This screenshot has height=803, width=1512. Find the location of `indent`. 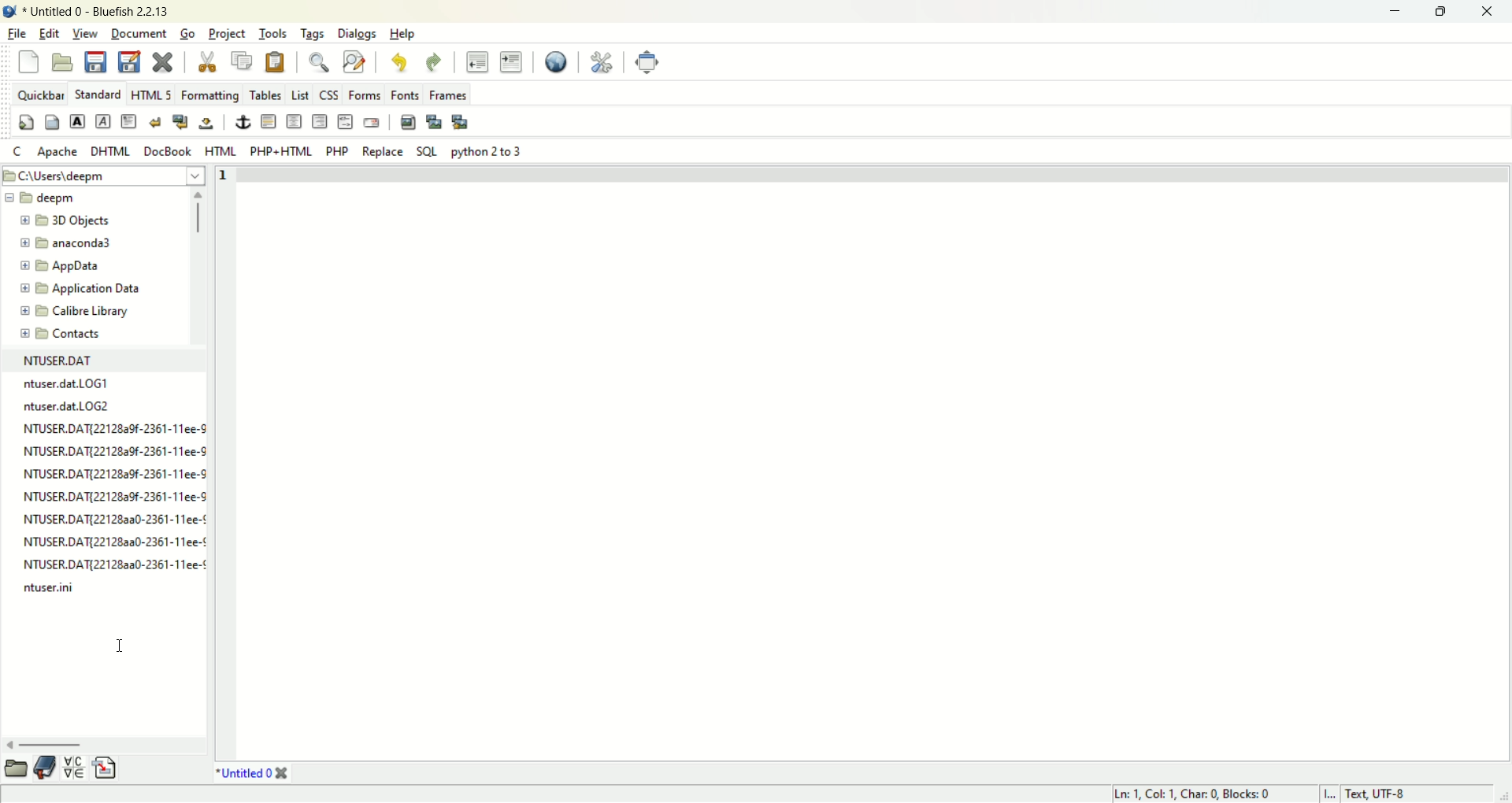

indent is located at coordinates (511, 62).